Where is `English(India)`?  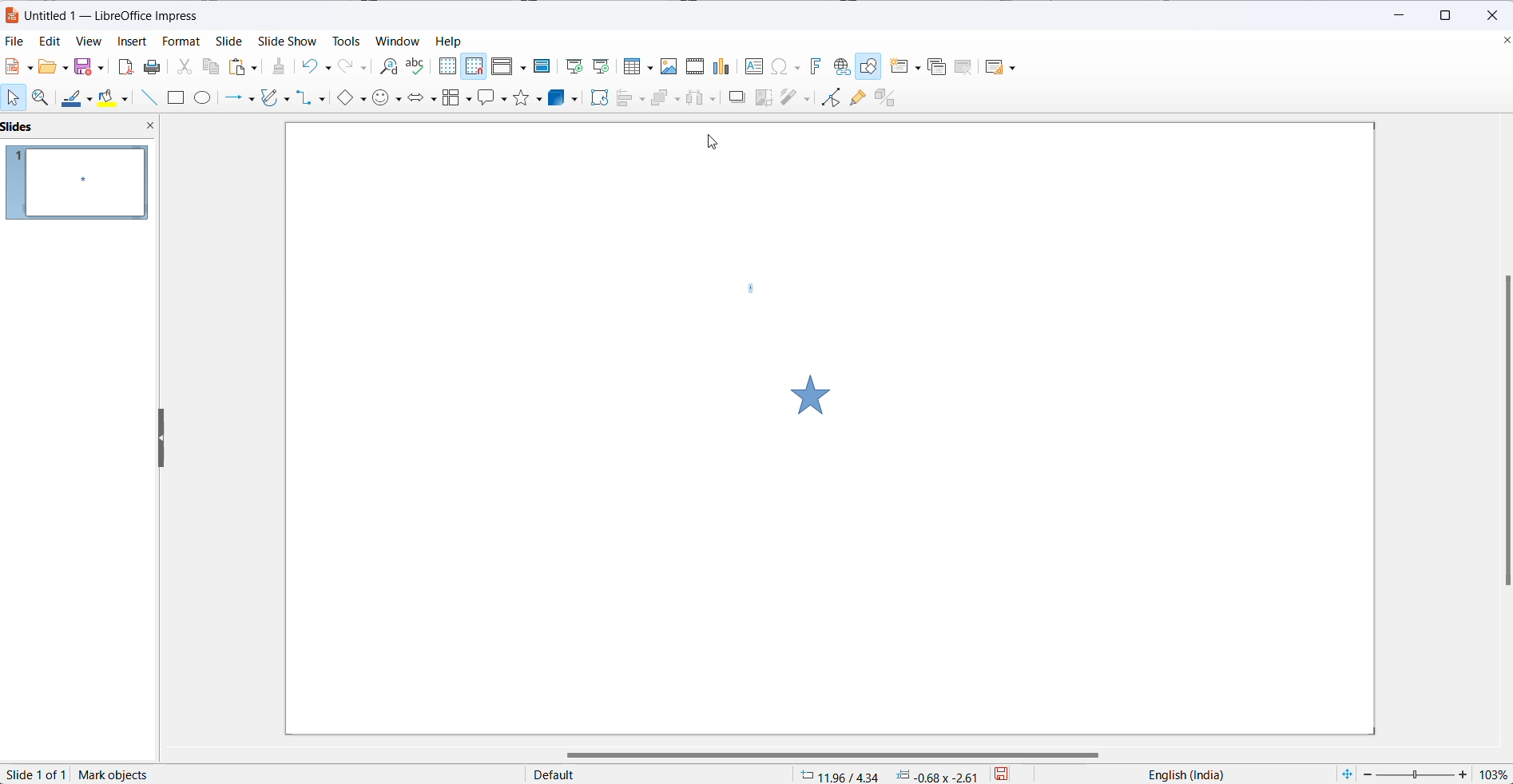
English(India) is located at coordinates (1177, 775).